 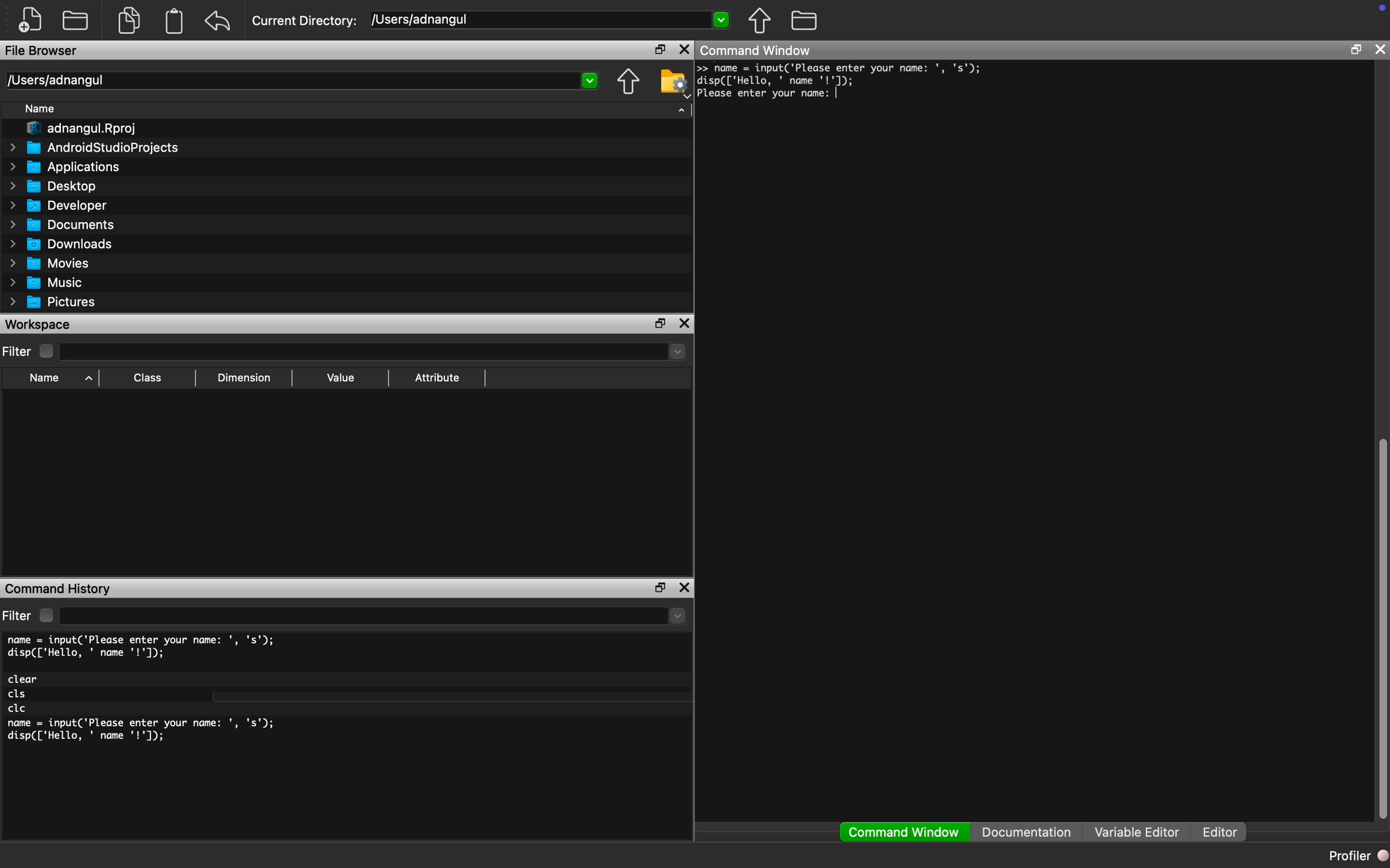 I want to click on Class, so click(x=145, y=378).